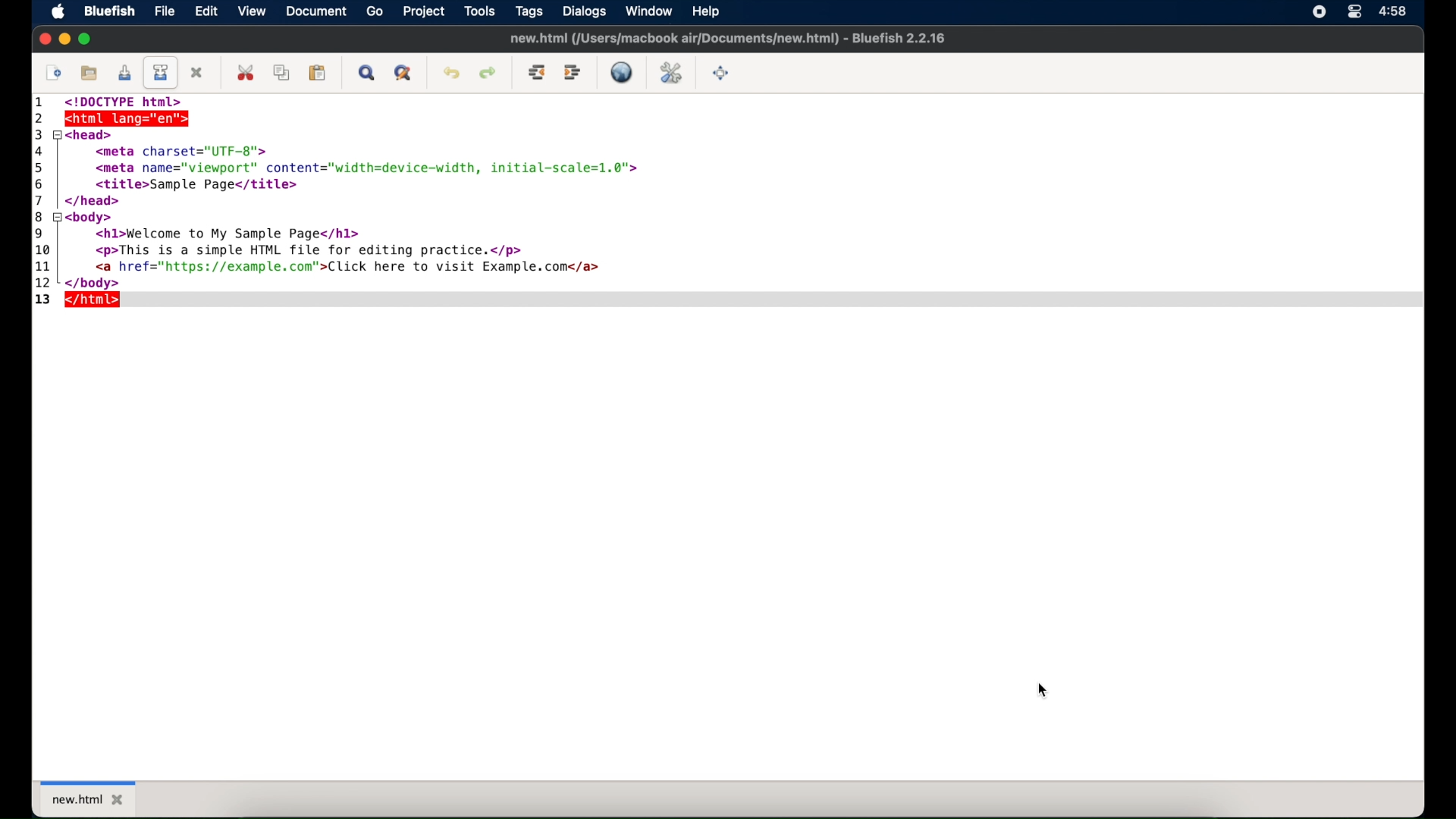  What do you see at coordinates (42, 167) in the screenshot?
I see `5` at bounding box center [42, 167].